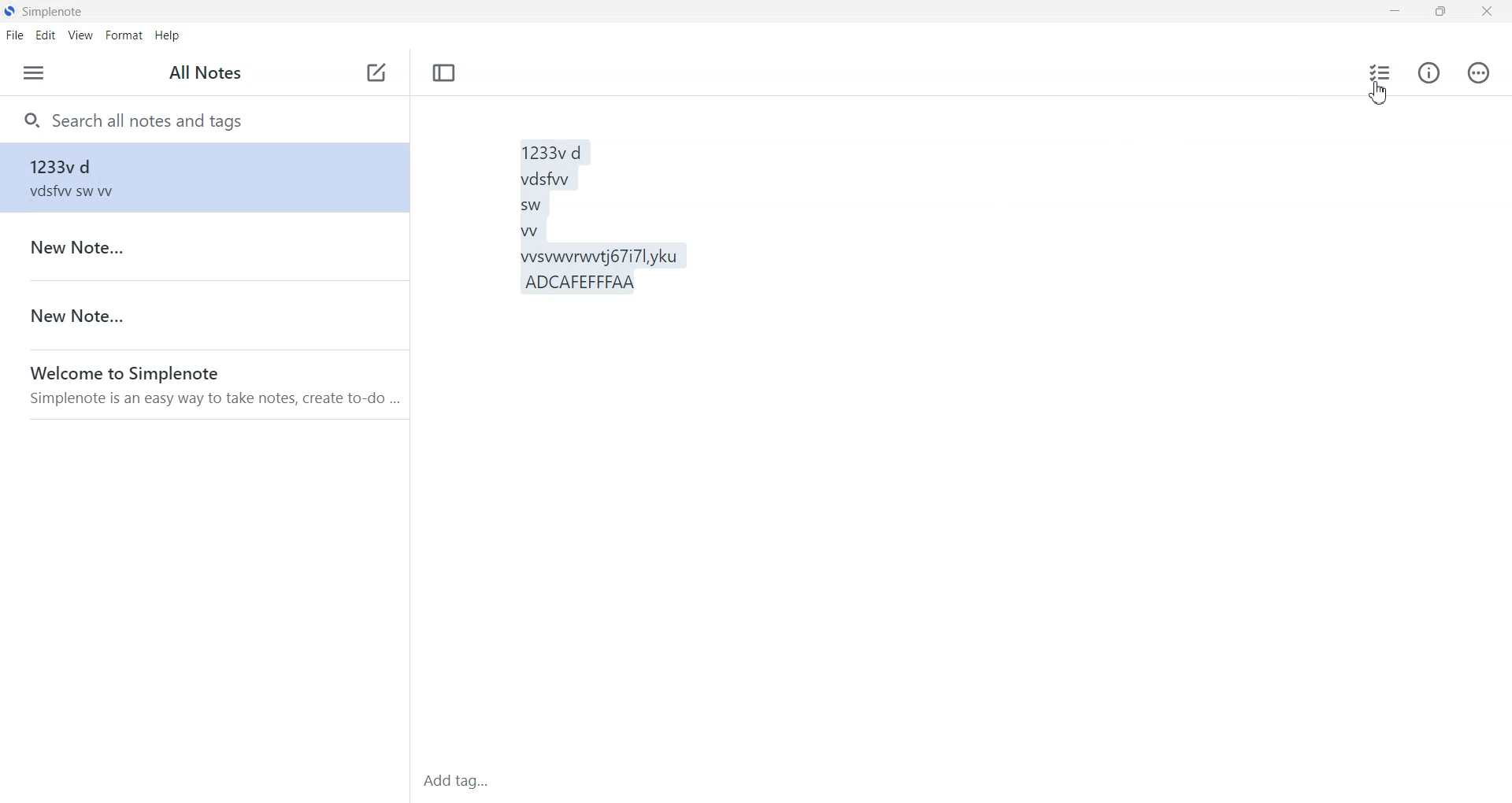 The height and width of the screenshot is (803, 1512). What do you see at coordinates (46, 35) in the screenshot?
I see `Edit` at bounding box center [46, 35].